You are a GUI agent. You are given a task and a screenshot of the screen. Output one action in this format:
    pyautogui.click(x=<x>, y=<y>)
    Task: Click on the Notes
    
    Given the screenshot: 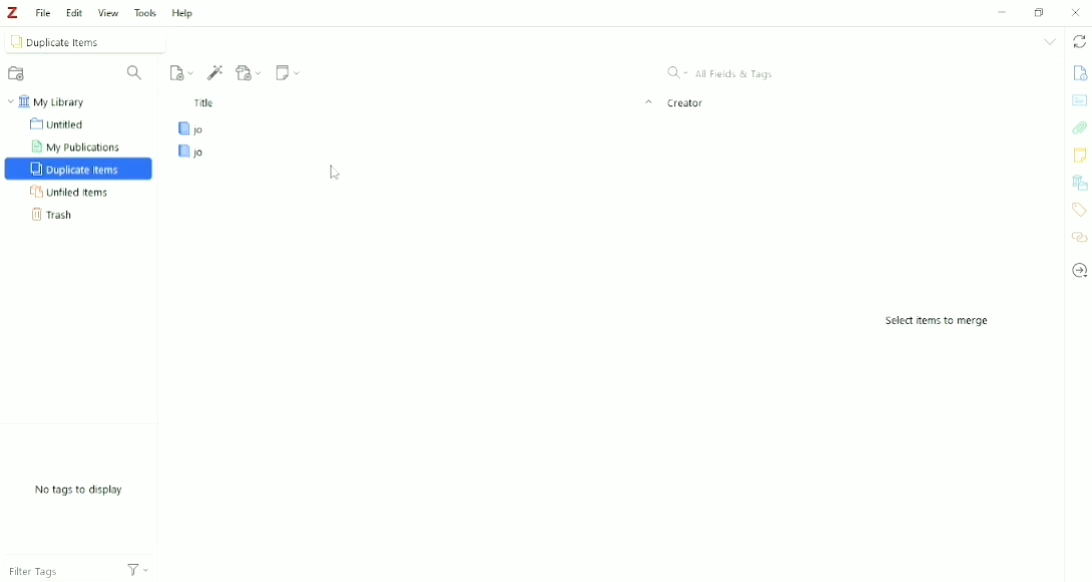 What is the action you would take?
    pyautogui.click(x=1080, y=155)
    